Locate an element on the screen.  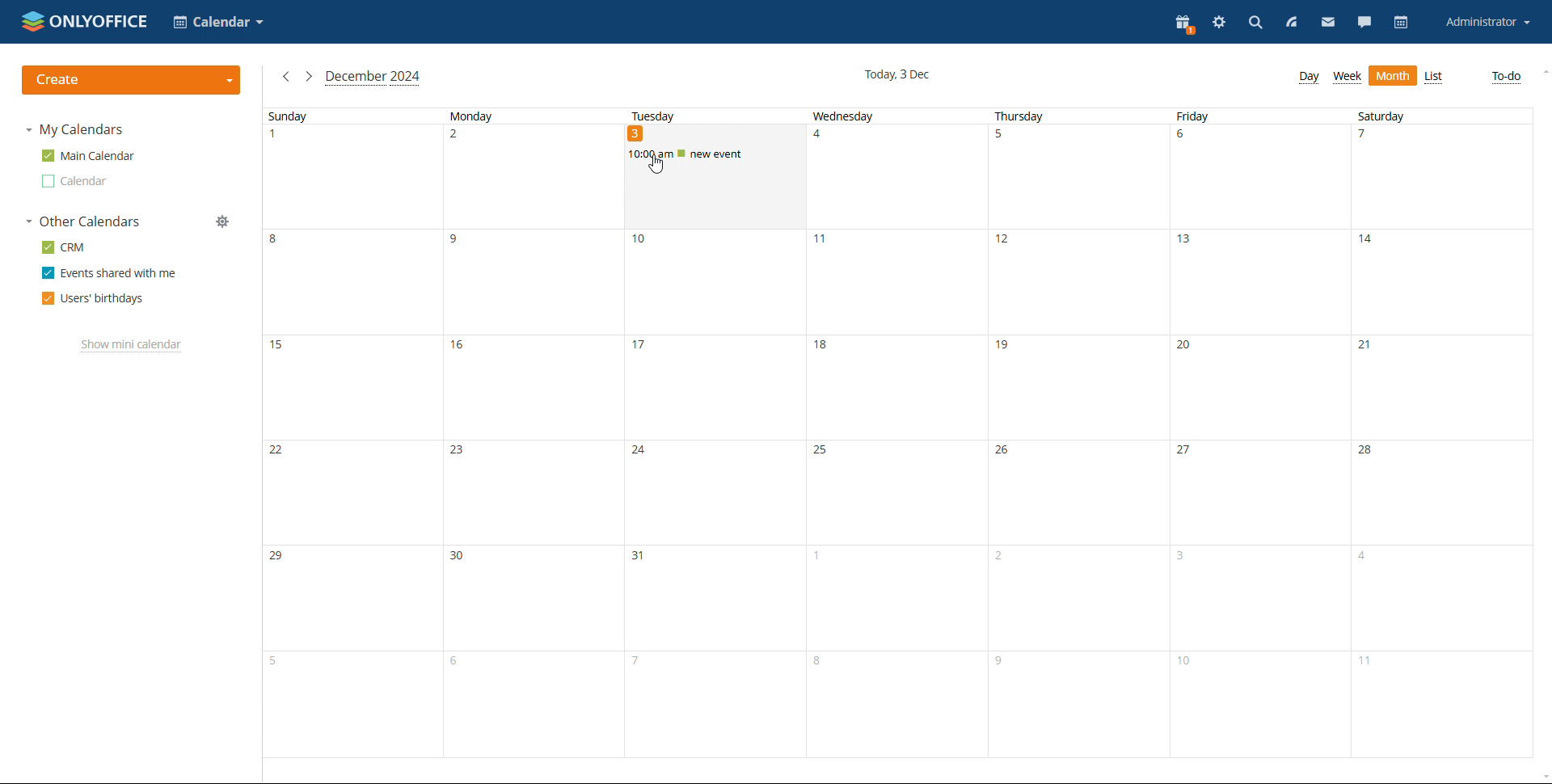
create is located at coordinates (132, 80).